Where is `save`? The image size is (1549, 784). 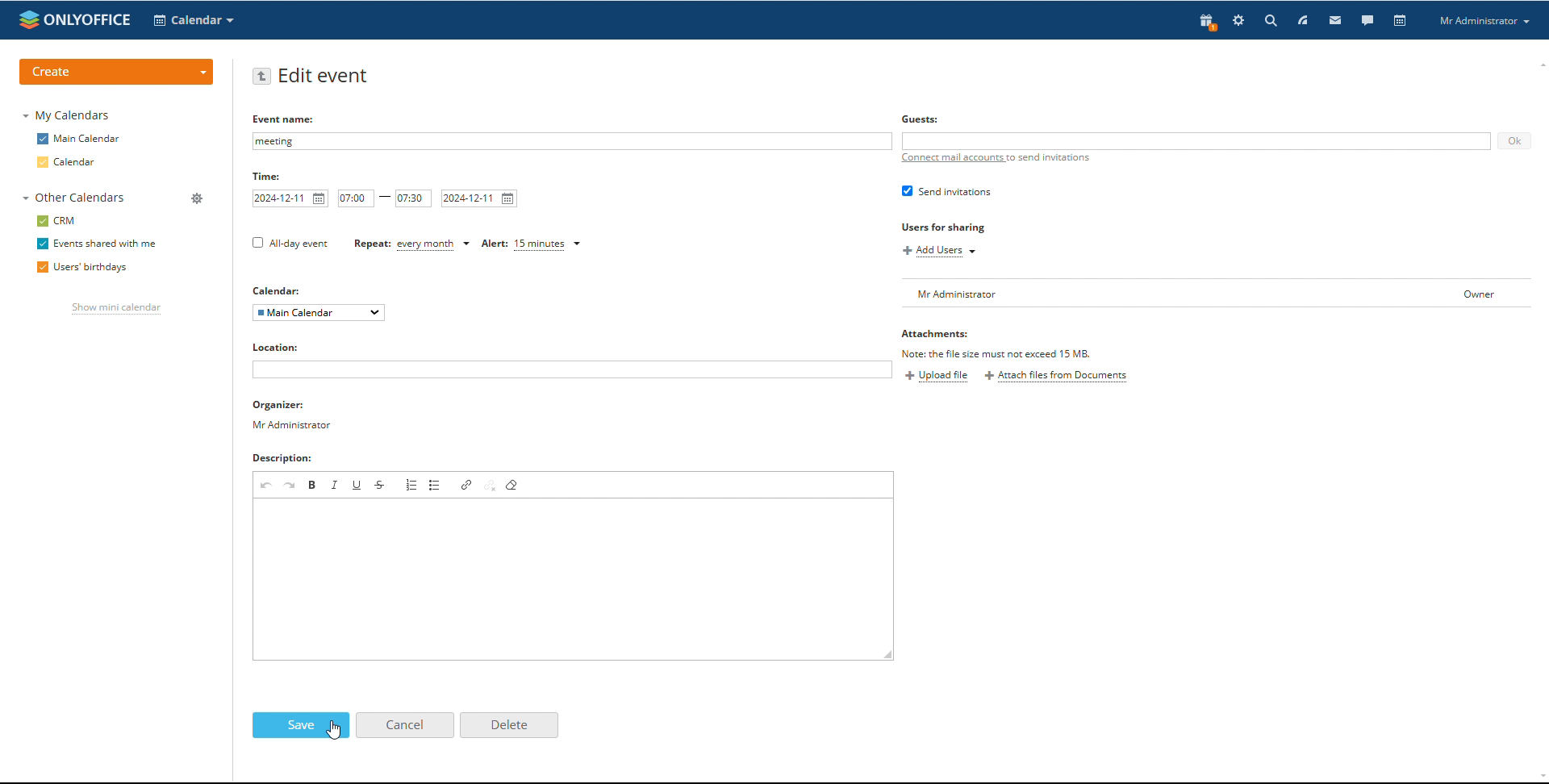
save is located at coordinates (301, 725).